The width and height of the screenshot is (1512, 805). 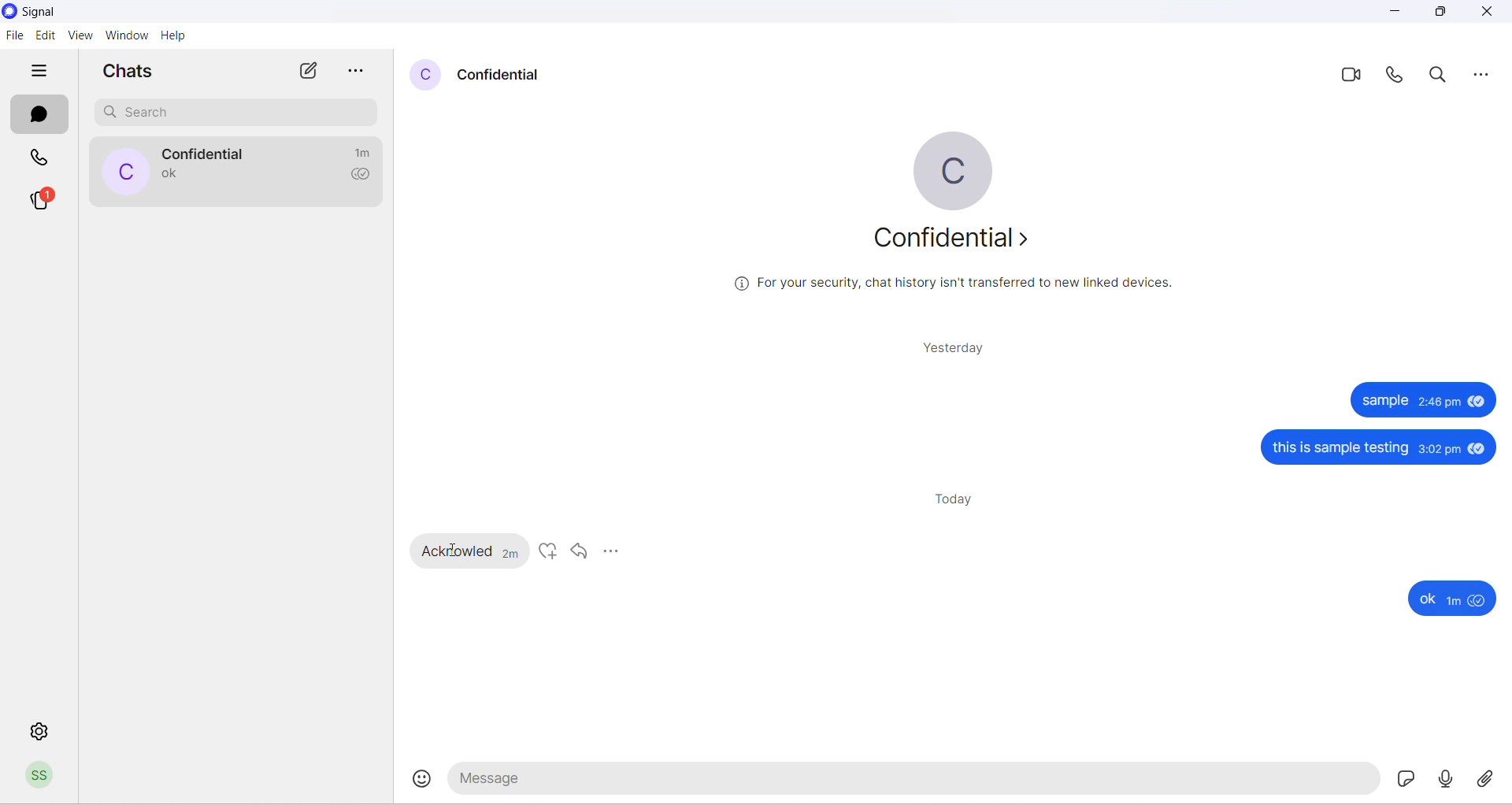 What do you see at coordinates (362, 152) in the screenshot?
I see `time passed since last message` at bounding box center [362, 152].